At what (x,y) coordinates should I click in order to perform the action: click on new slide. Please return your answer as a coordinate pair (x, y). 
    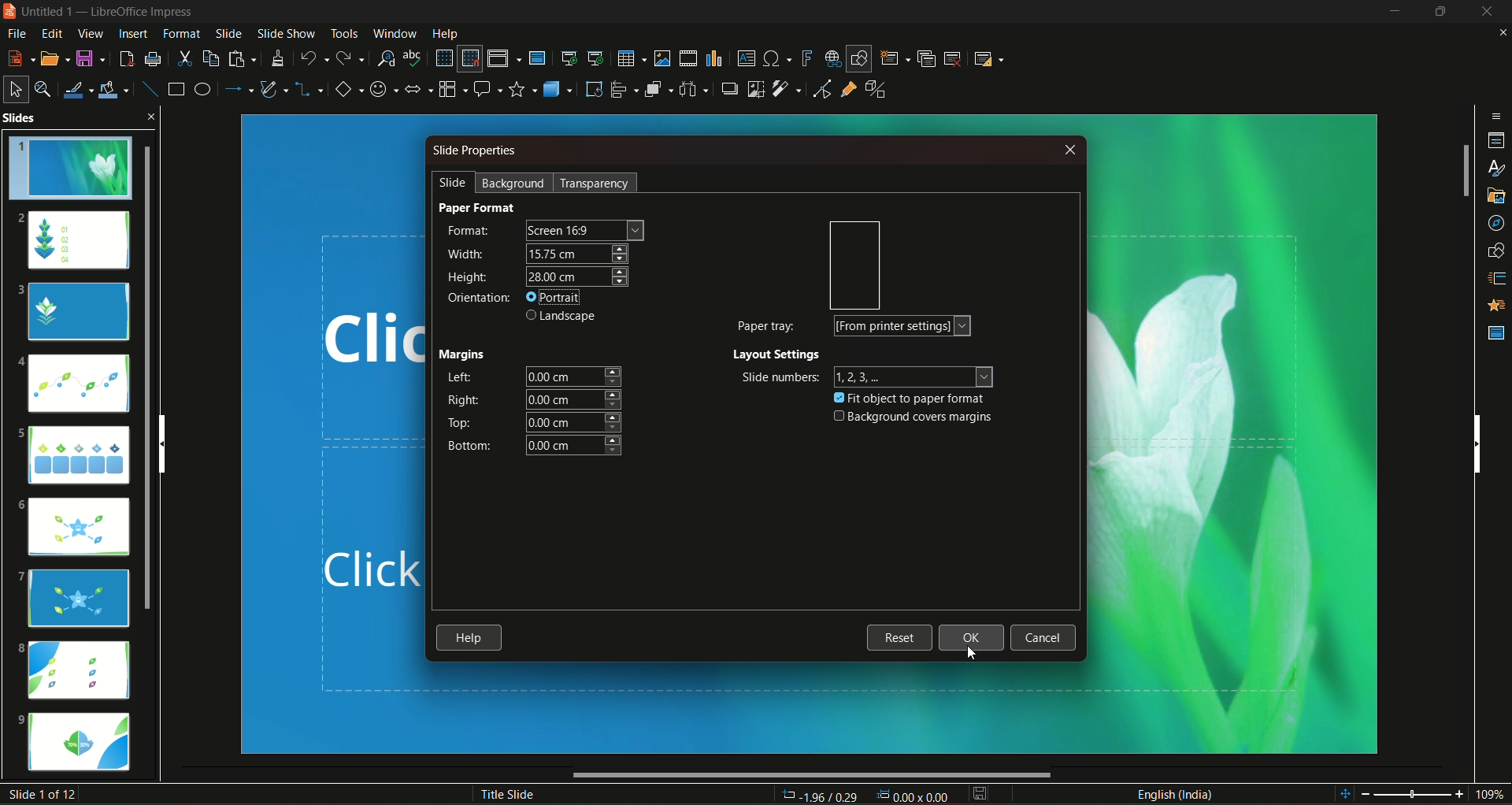
    Looking at the image, I should click on (895, 57).